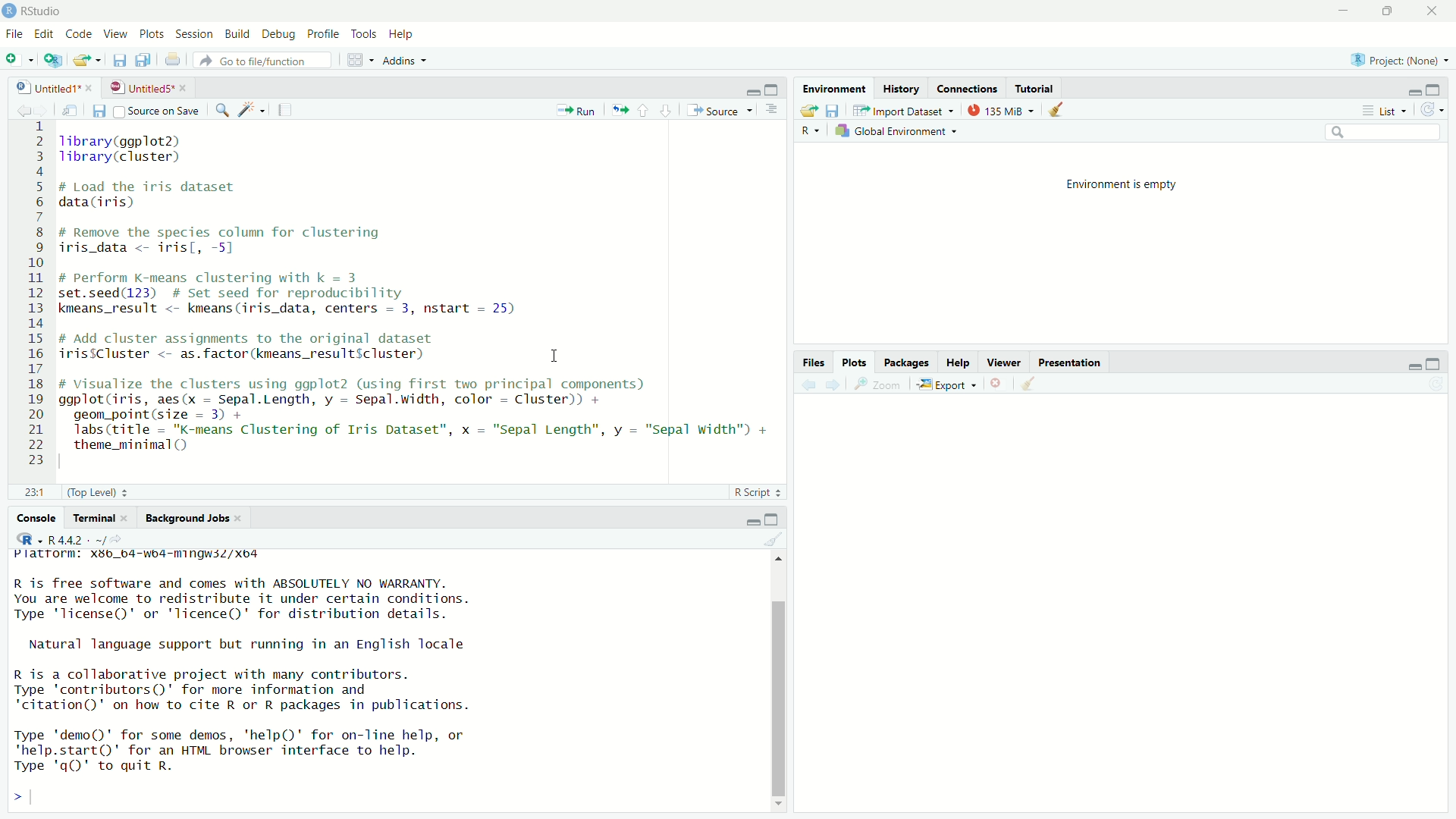 The width and height of the screenshot is (1456, 819). Describe the element at coordinates (1005, 362) in the screenshot. I see `viewer` at that location.